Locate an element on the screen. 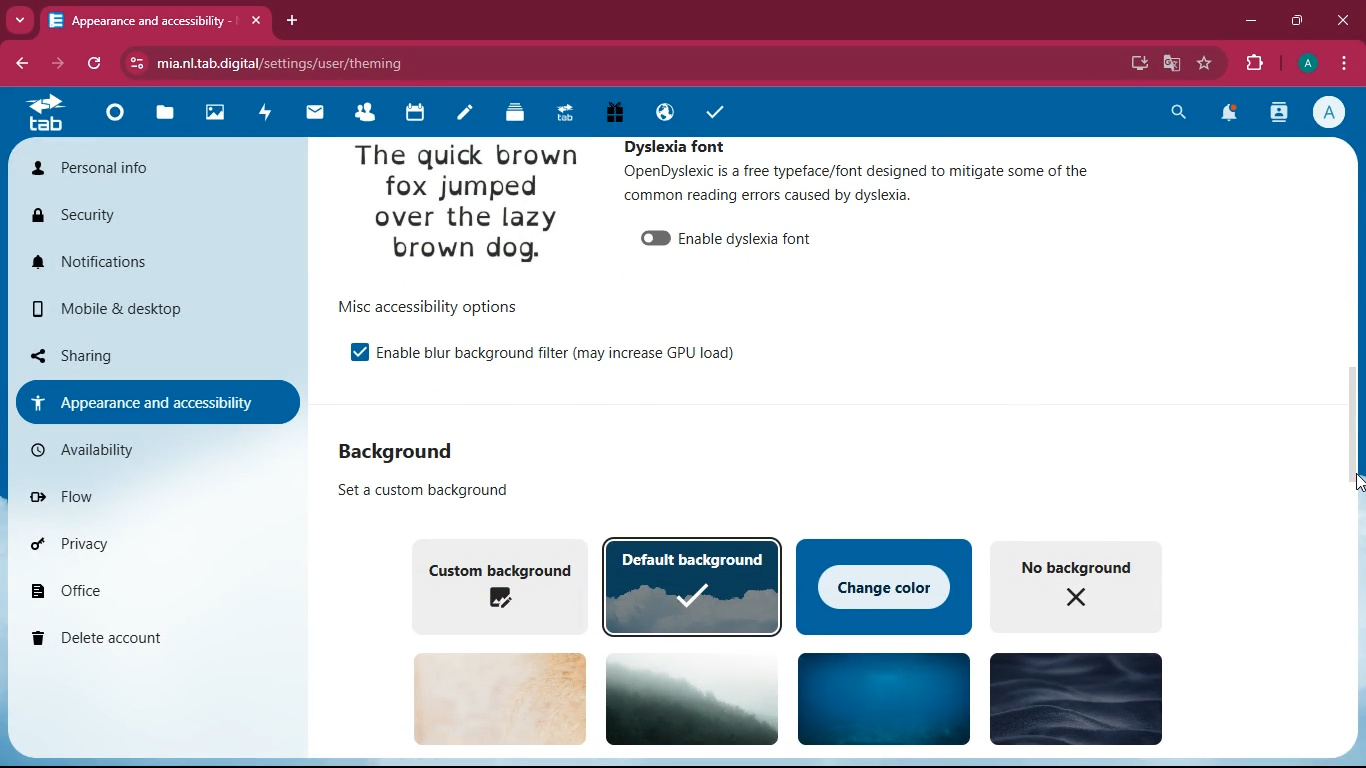 The width and height of the screenshot is (1366, 768). security is located at coordinates (113, 215).